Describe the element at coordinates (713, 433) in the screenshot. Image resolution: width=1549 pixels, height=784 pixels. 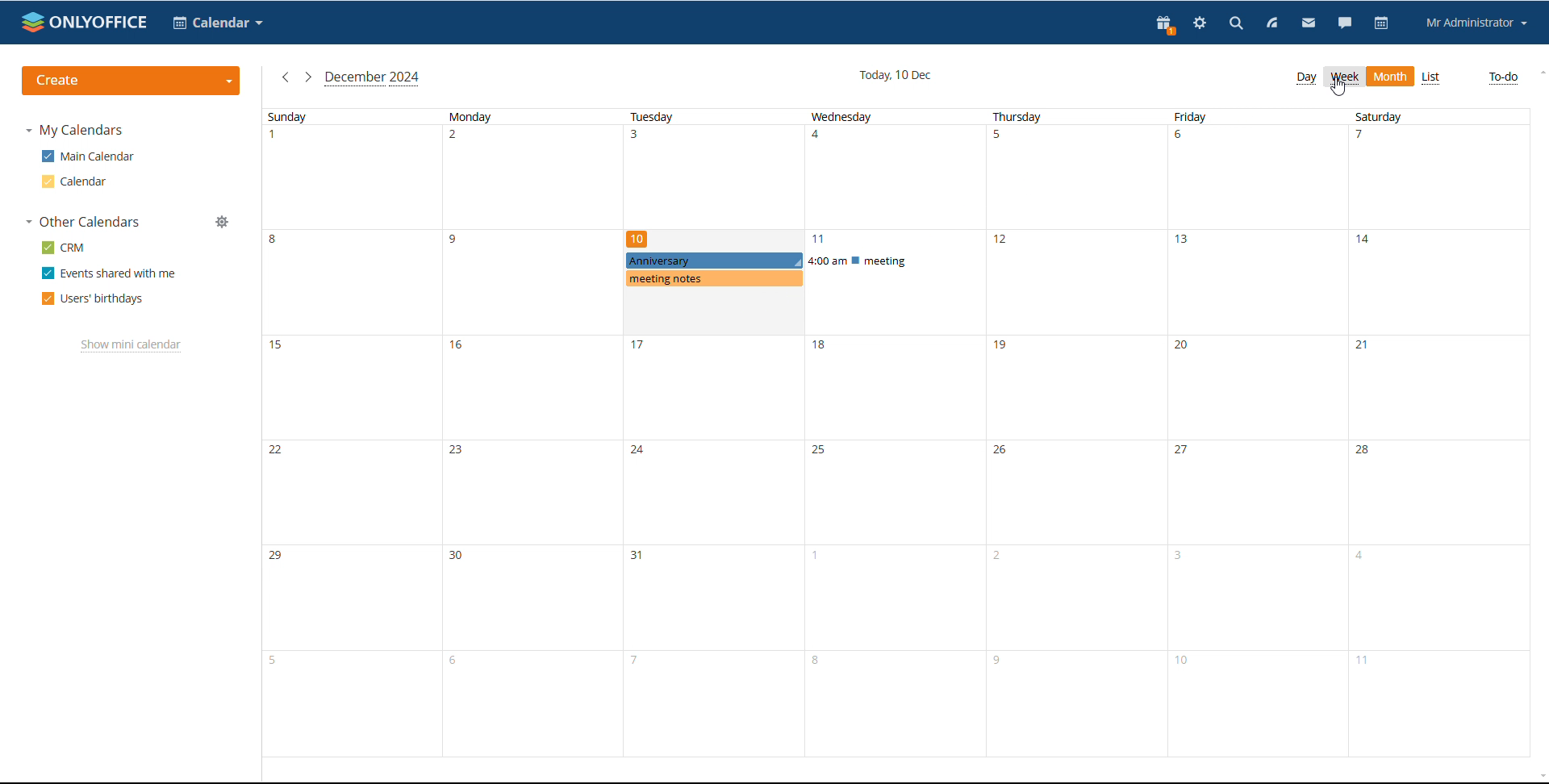
I see `tuesday` at that location.